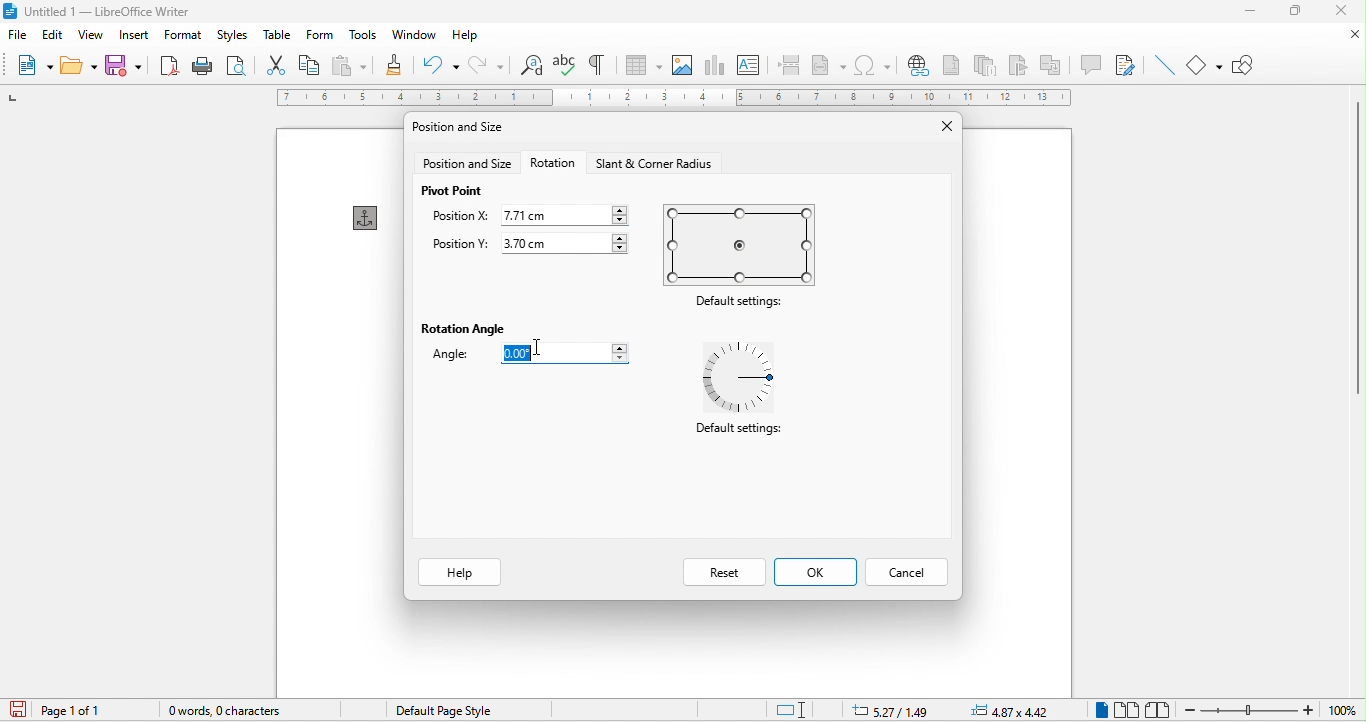 Image resolution: width=1366 pixels, height=722 pixels. Describe the element at coordinates (468, 127) in the screenshot. I see `position and size` at that location.